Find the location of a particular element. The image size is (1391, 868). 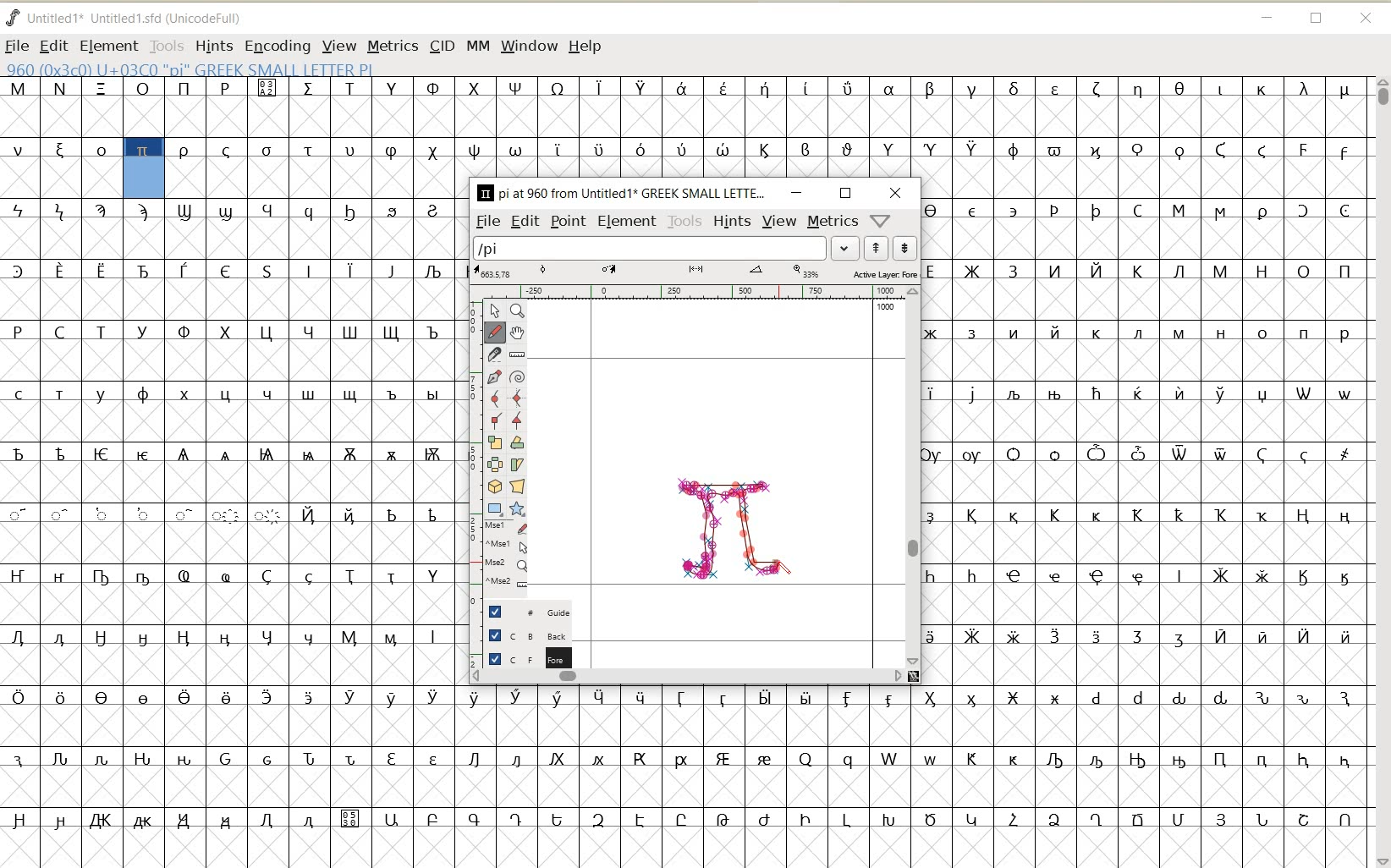

Add a corner point is located at coordinates (494, 420).